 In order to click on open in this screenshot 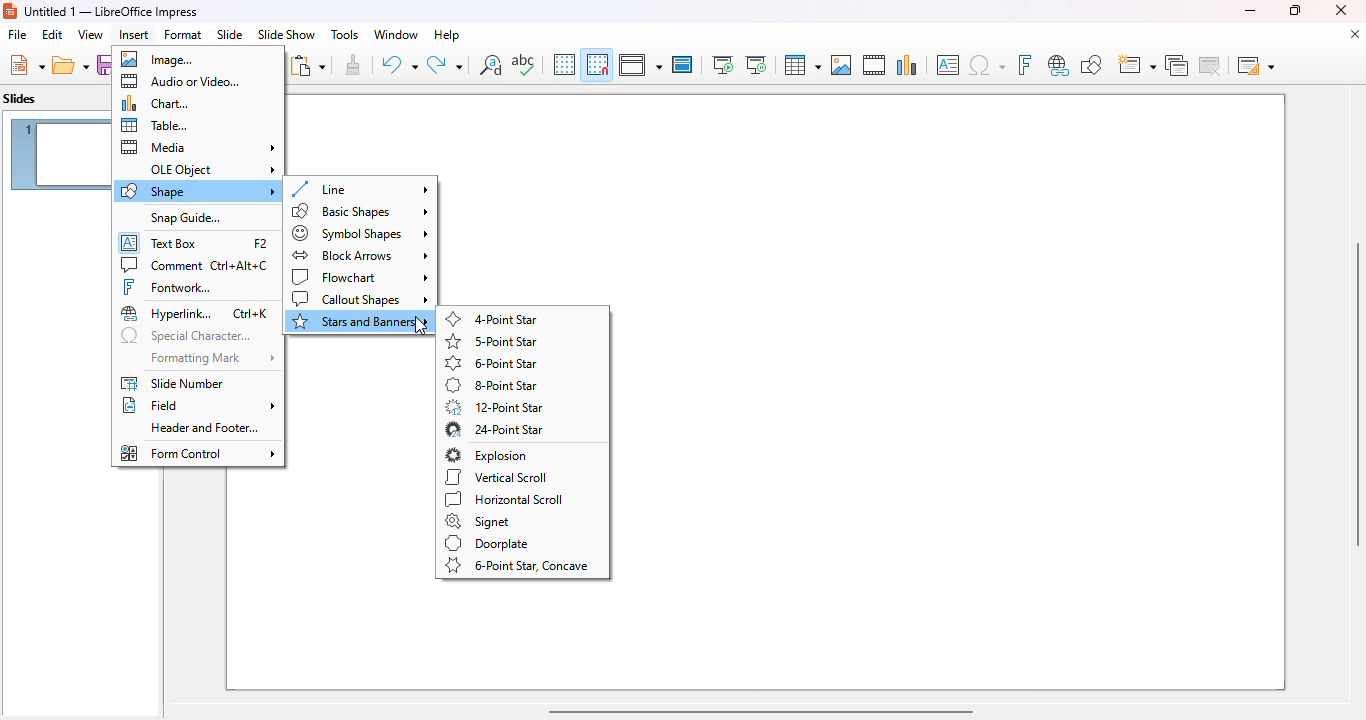, I will do `click(71, 66)`.